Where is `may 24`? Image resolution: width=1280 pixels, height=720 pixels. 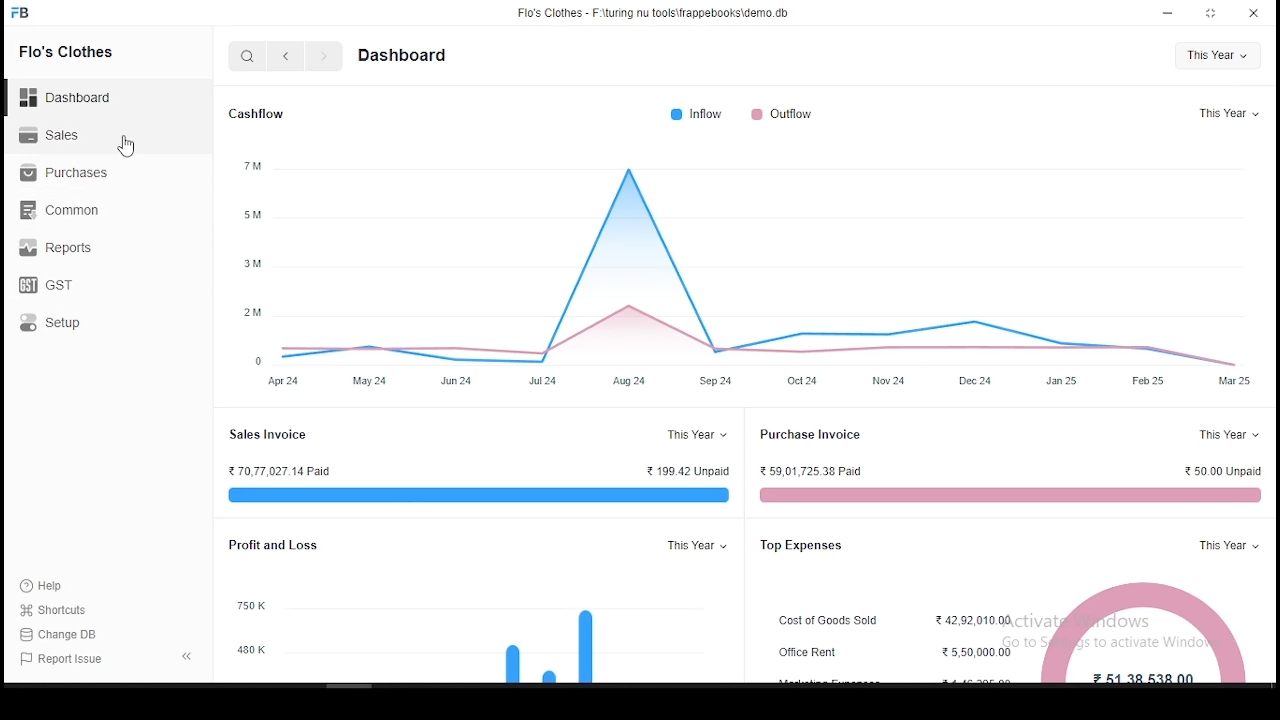
may 24 is located at coordinates (367, 383).